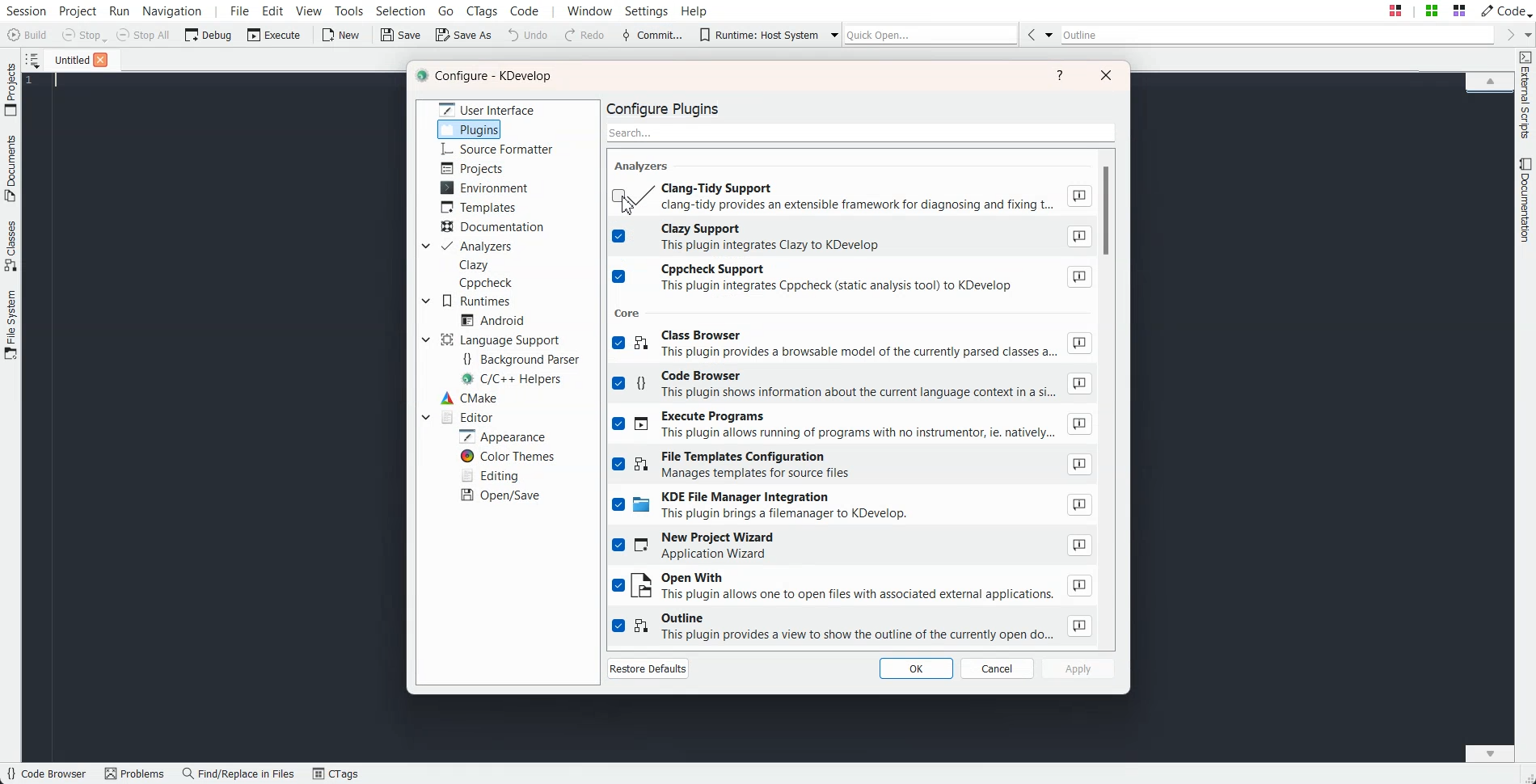 The height and width of the screenshot is (784, 1536). I want to click on Execute Programs, so click(853, 426).